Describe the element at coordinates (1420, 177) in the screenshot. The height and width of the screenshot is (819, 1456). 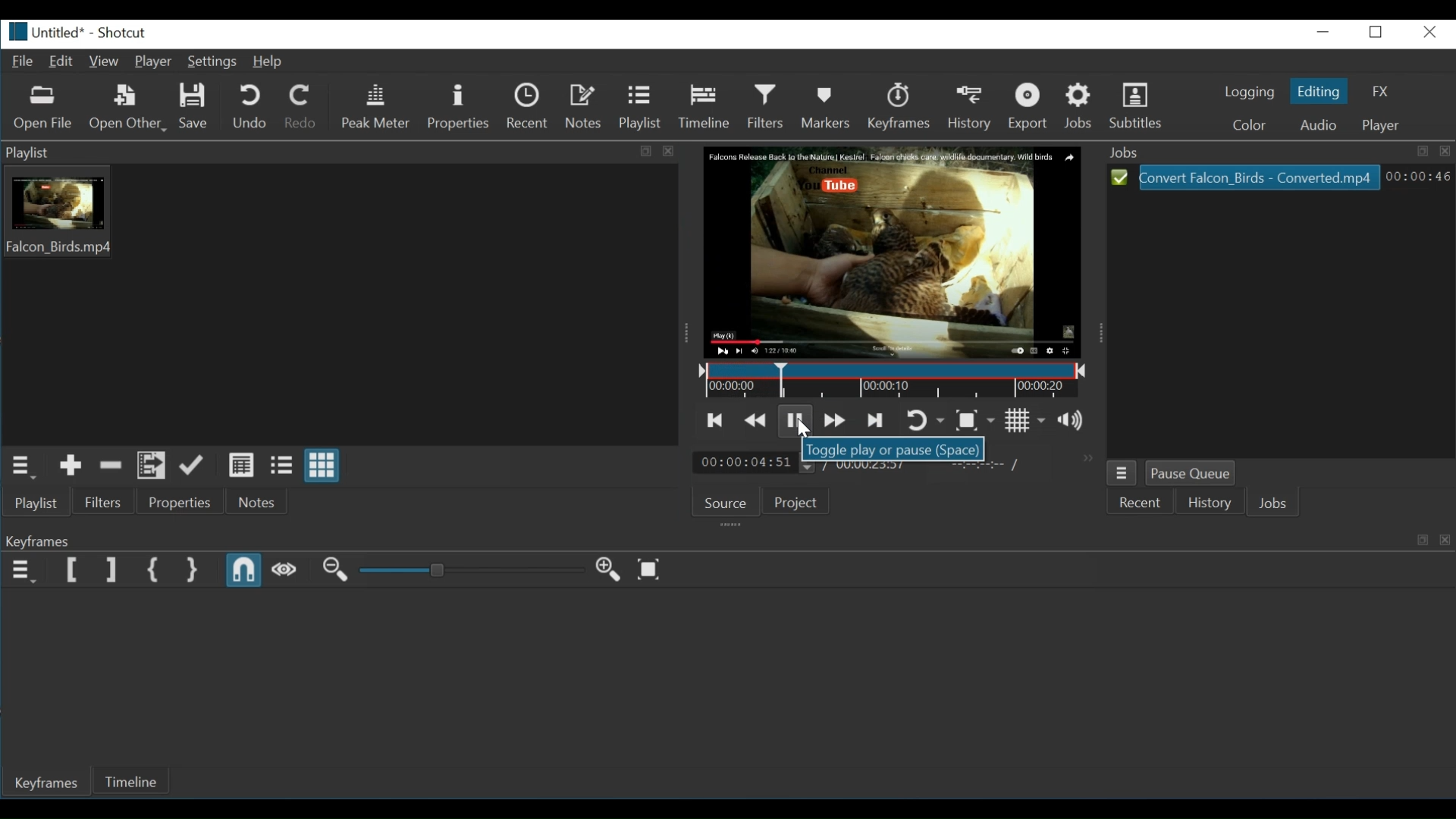
I see `00:00:30` at that location.